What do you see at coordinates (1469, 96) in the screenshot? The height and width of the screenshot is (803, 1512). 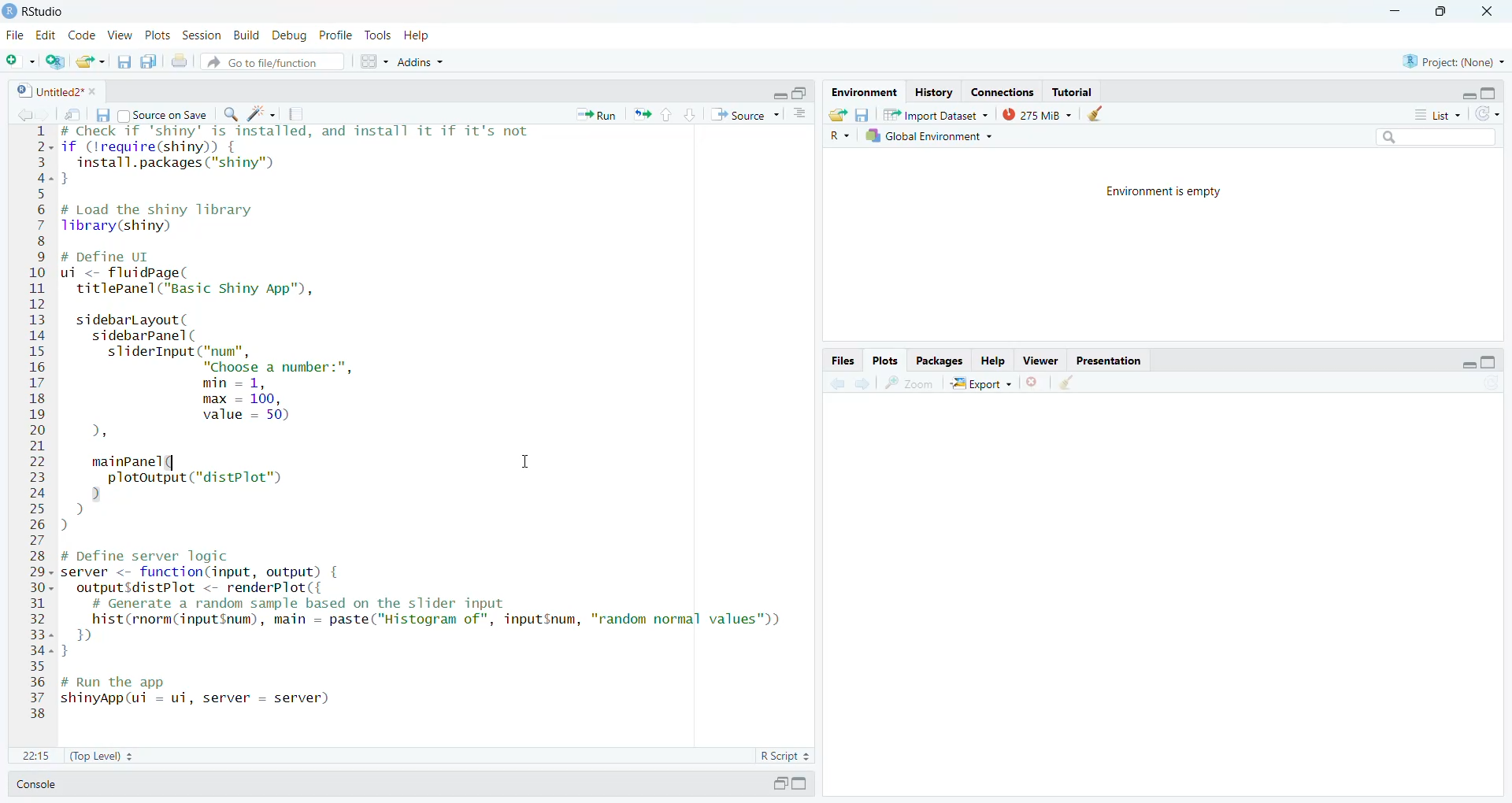 I see `minimize` at bounding box center [1469, 96].